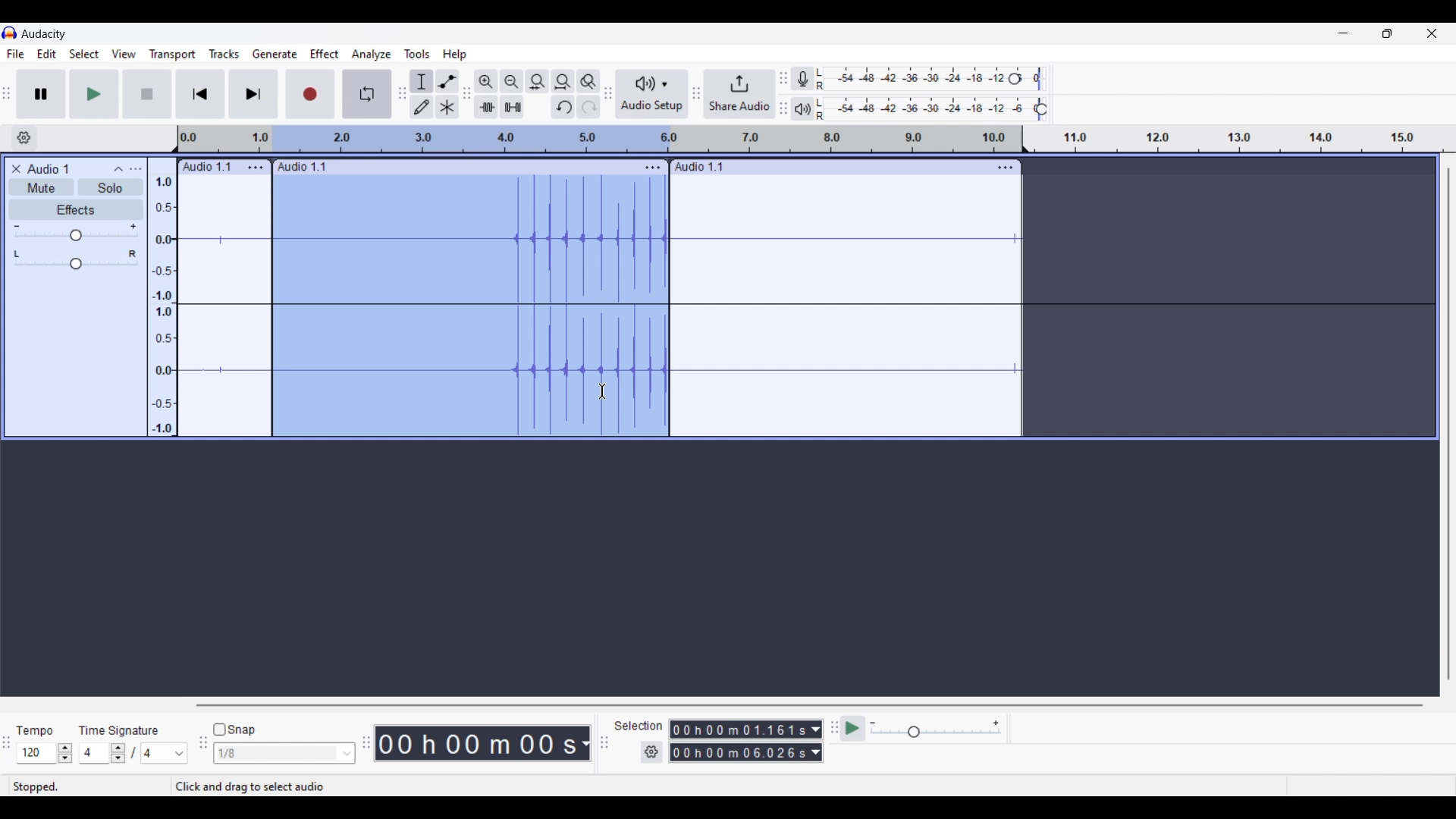  What do you see at coordinates (173, 54) in the screenshot?
I see `Transport menu` at bounding box center [173, 54].